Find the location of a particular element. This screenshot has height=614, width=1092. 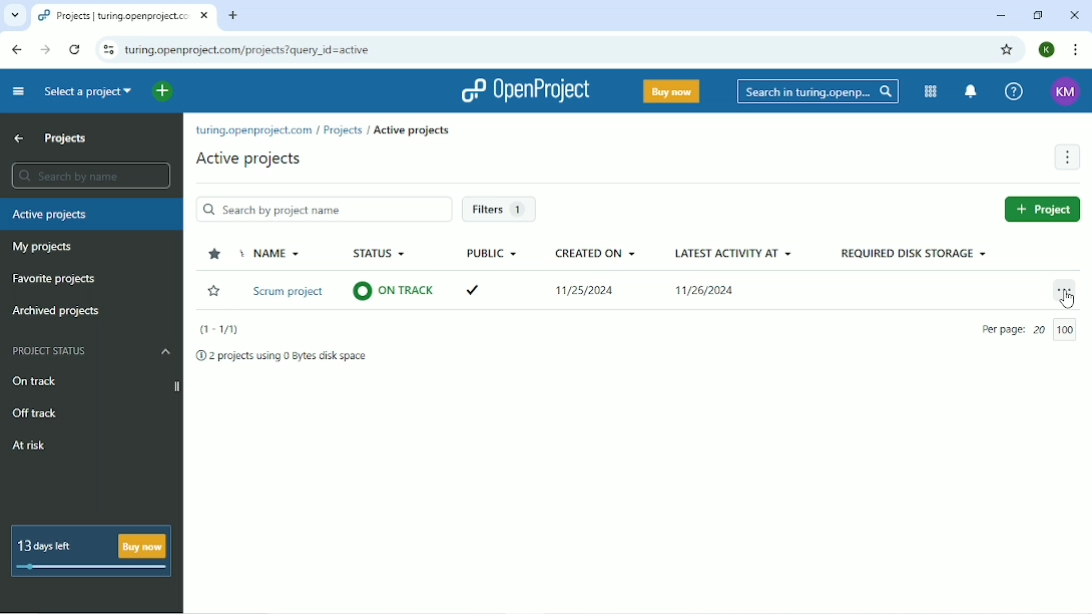

Off track is located at coordinates (35, 411).